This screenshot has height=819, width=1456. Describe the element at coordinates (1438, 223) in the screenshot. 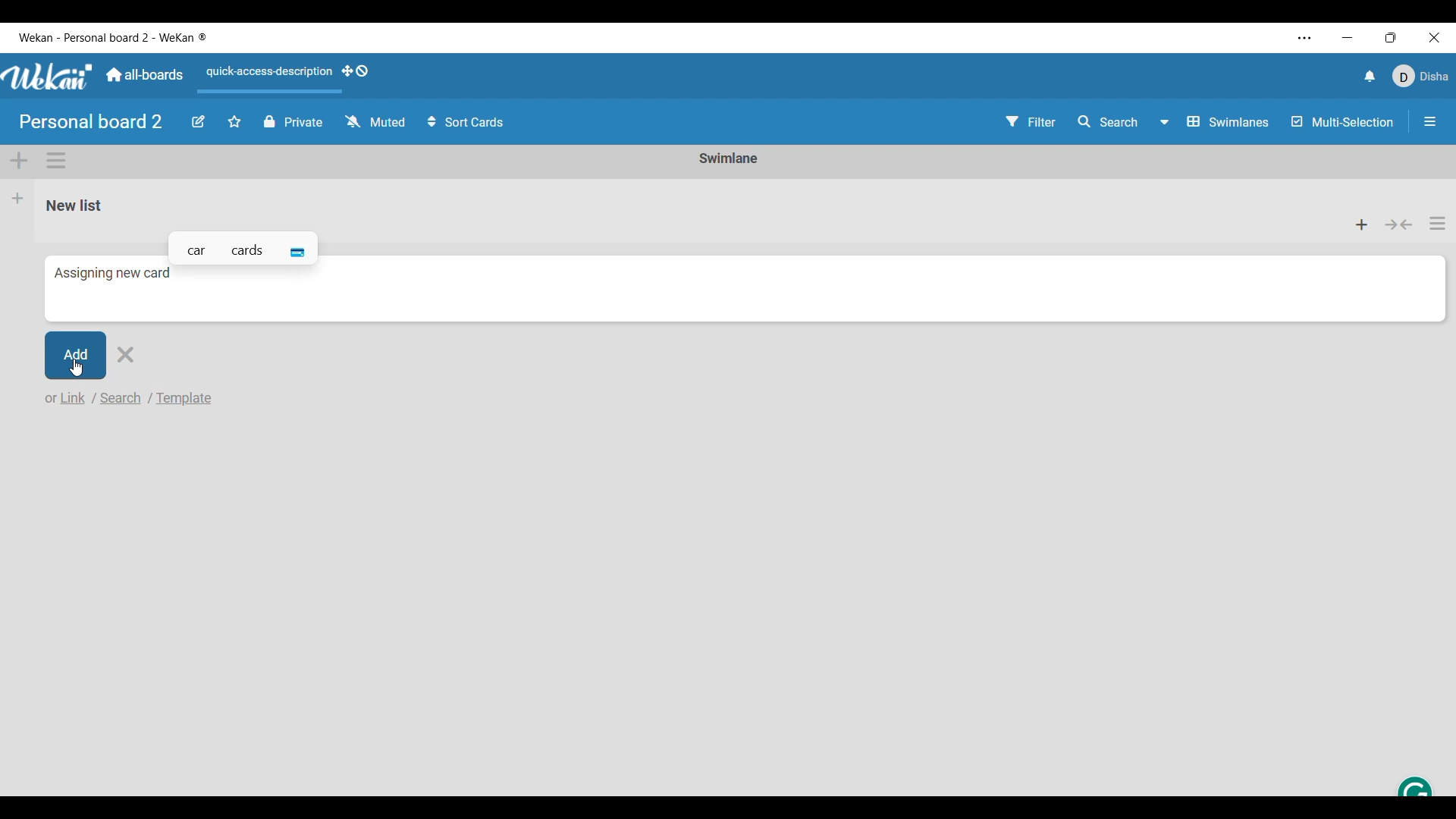

I see `List actions` at that location.